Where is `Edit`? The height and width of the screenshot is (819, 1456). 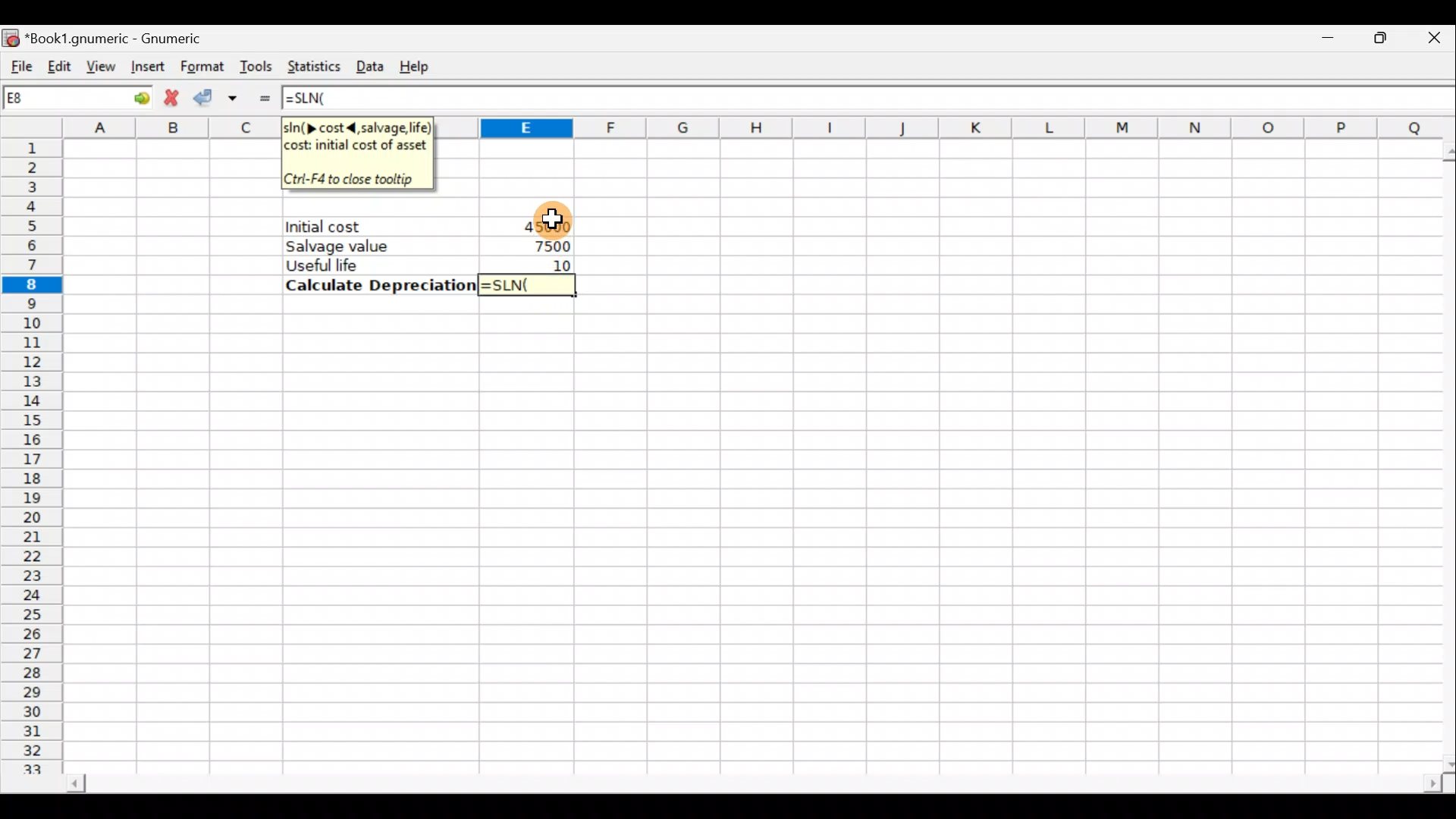 Edit is located at coordinates (60, 62).